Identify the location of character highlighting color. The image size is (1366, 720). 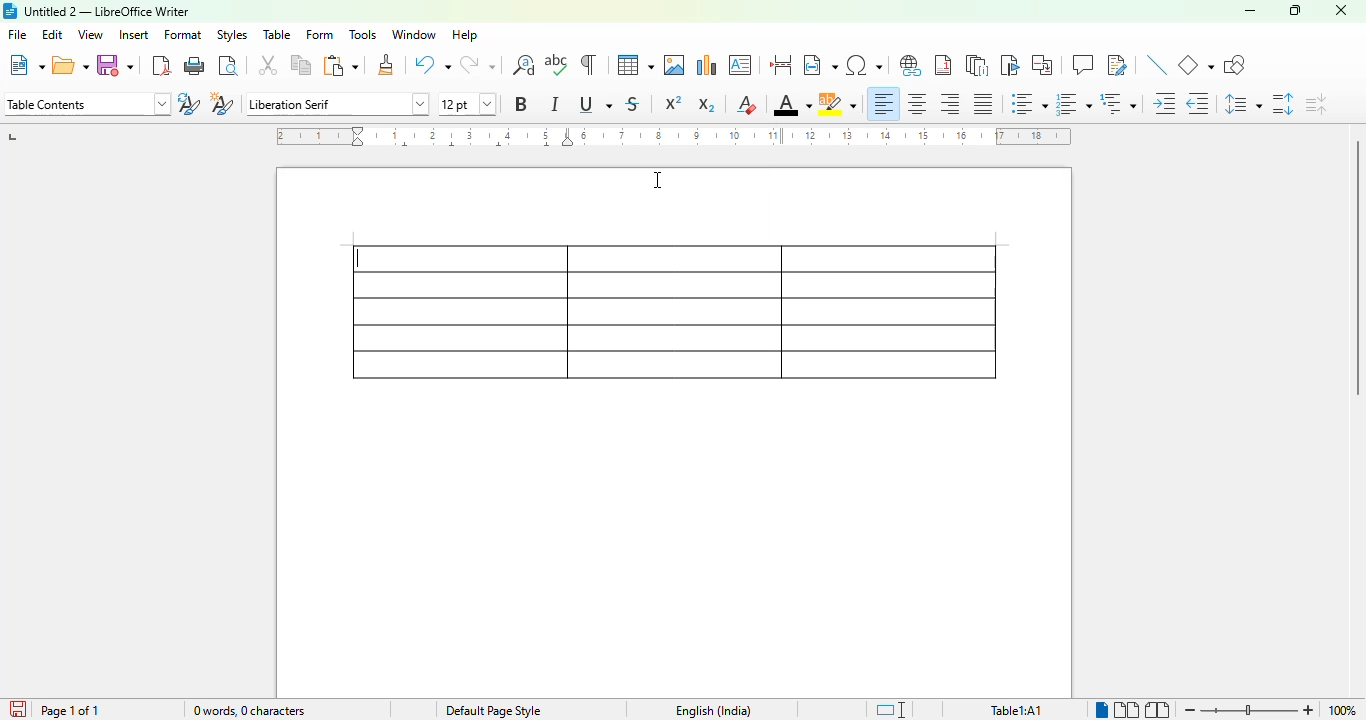
(838, 105).